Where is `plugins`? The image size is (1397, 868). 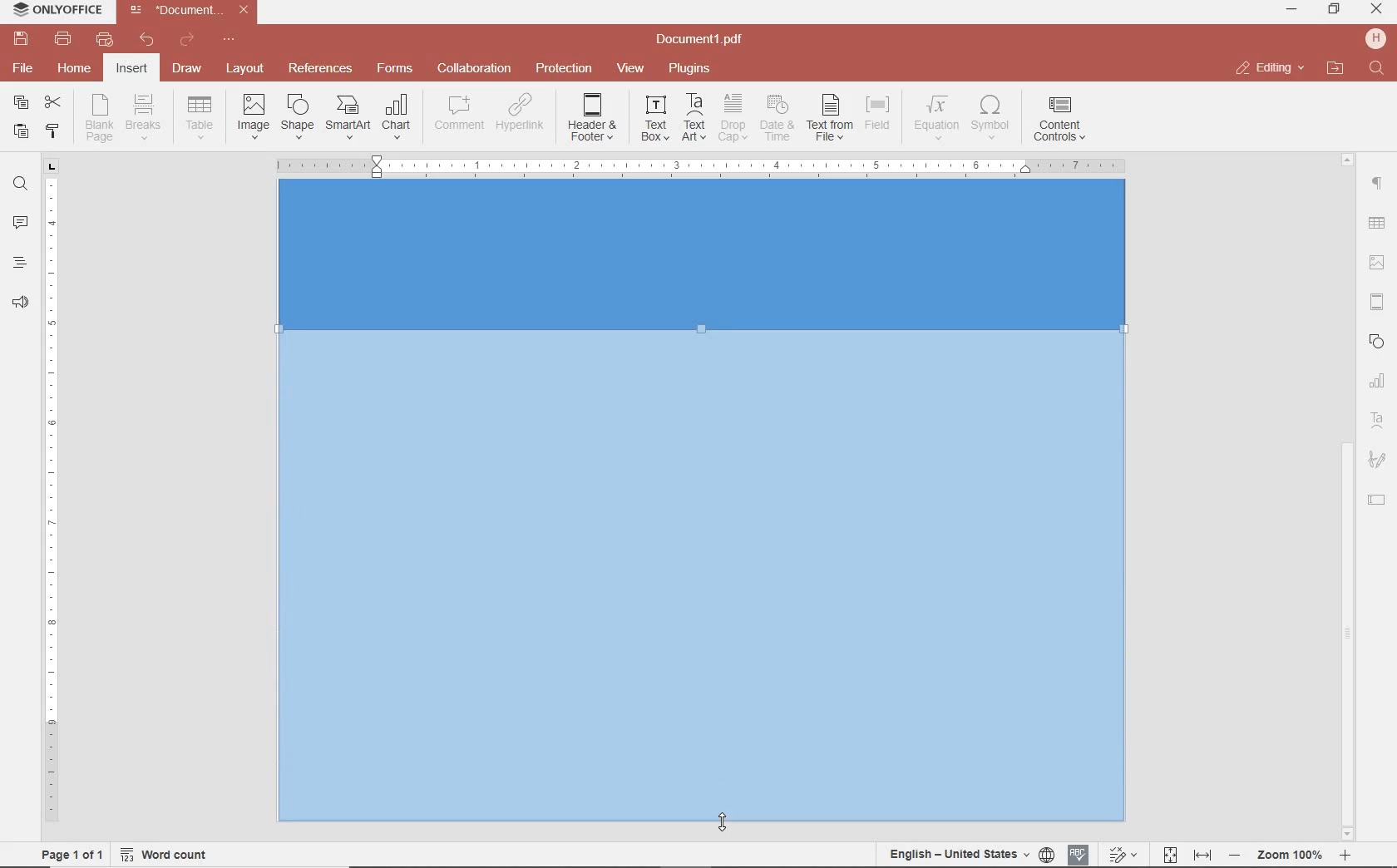 plugins is located at coordinates (693, 69).